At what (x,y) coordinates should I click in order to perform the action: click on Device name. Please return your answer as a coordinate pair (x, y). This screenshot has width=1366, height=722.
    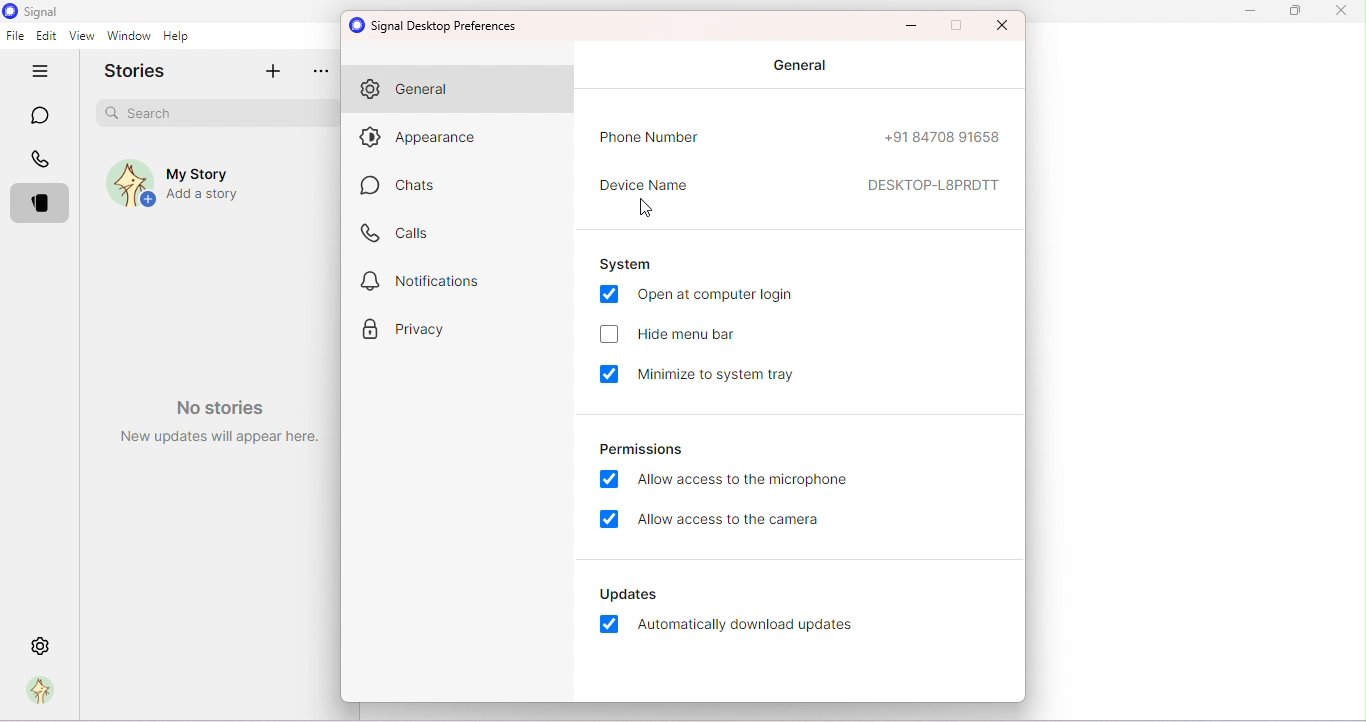
    Looking at the image, I should click on (800, 186).